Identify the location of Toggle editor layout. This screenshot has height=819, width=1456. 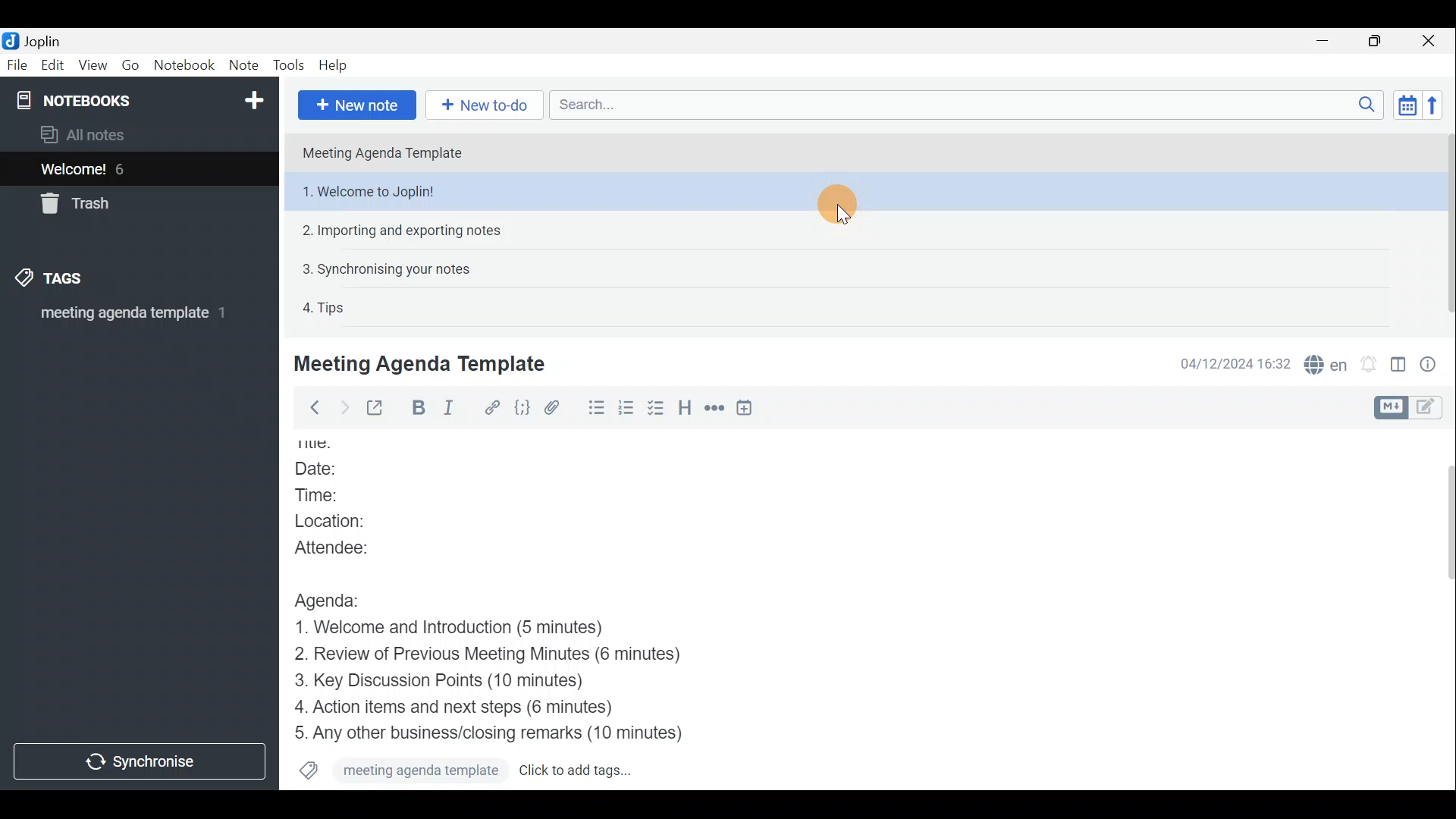
(1399, 367).